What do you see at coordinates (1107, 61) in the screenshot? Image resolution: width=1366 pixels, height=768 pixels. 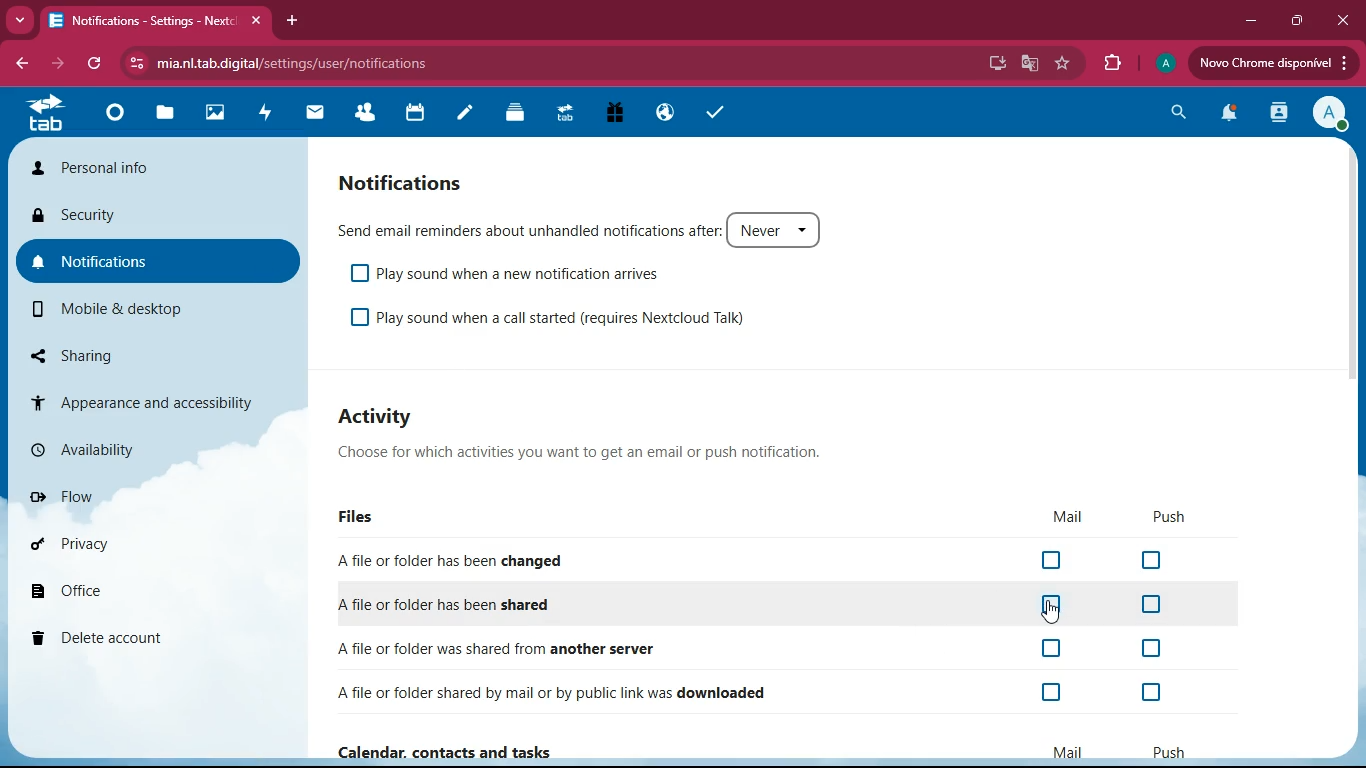 I see `extensions` at bounding box center [1107, 61].